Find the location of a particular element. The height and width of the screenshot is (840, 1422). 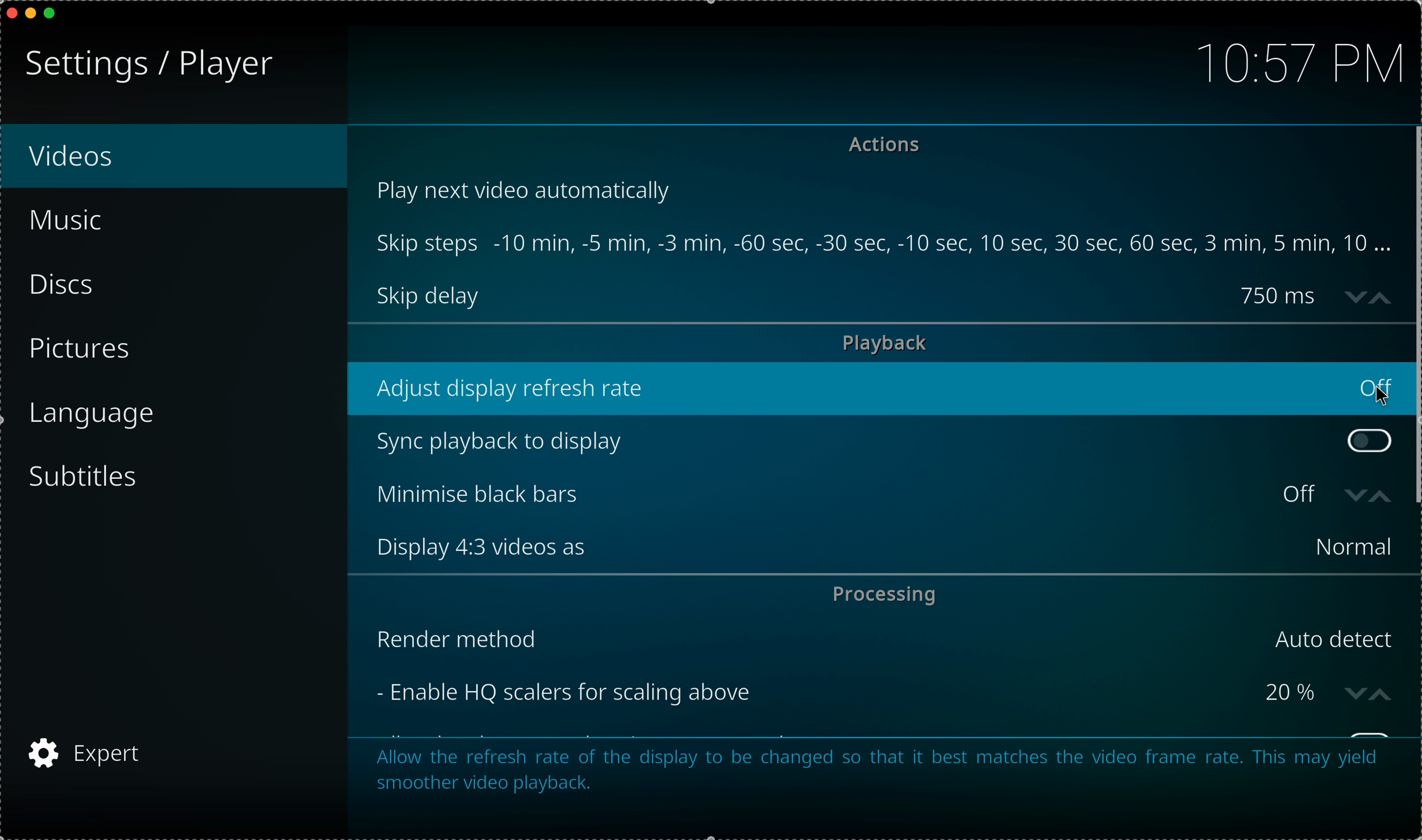

skip delay   750 ms is located at coordinates (848, 296).